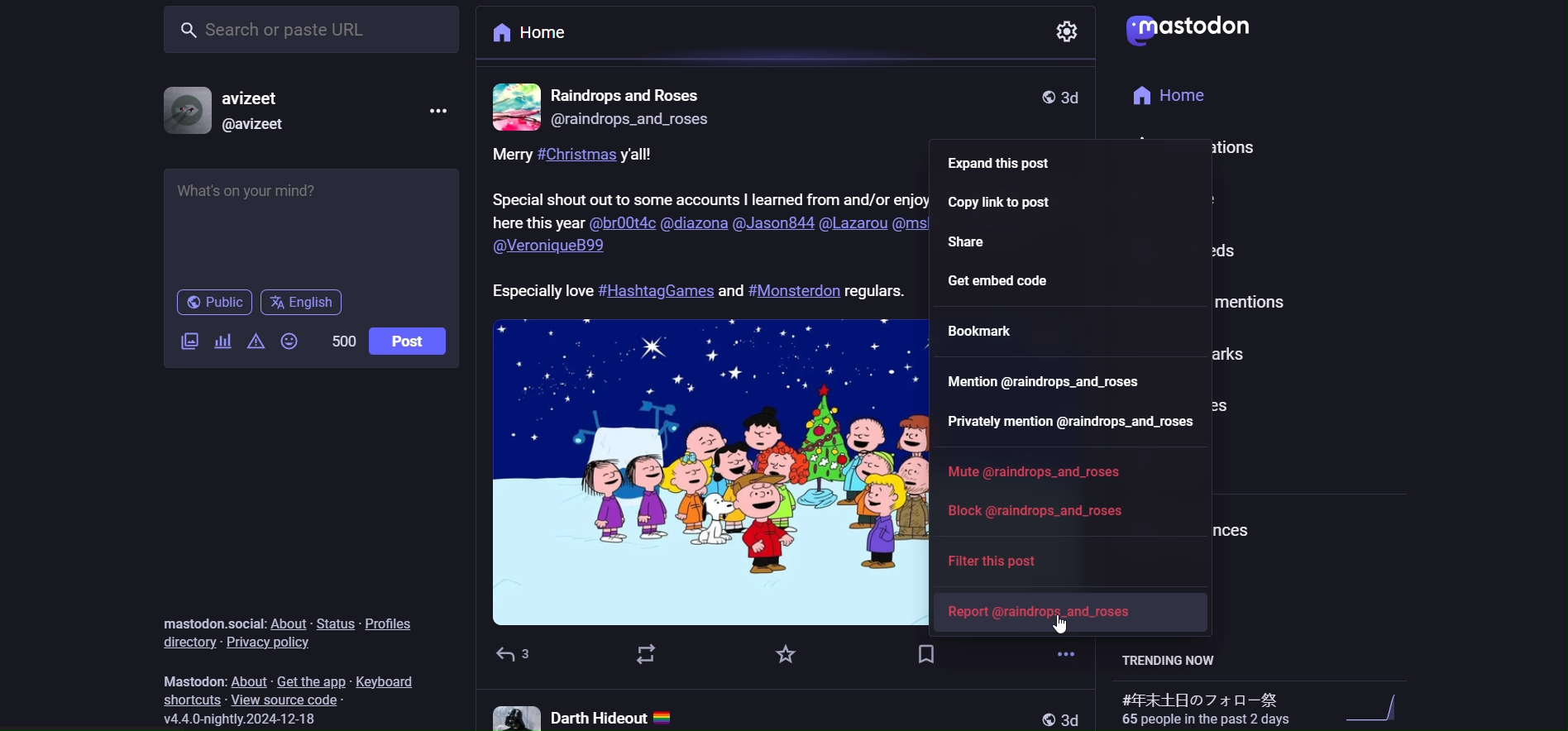 The width and height of the screenshot is (1568, 731). What do you see at coordinates (514, 105) in the screenshot?
I see `profile picture` at bounding box center [514, 105].